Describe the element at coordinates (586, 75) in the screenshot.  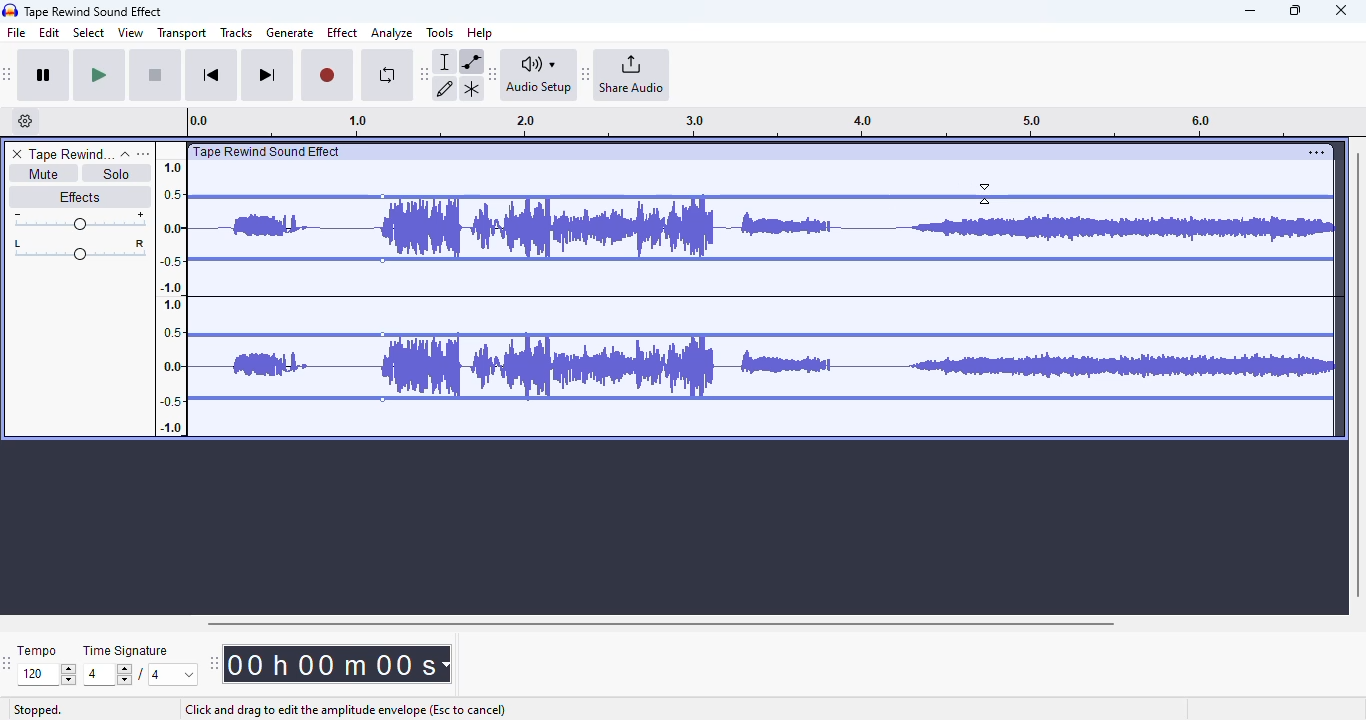
I see `Move audacity share audio toolbar` at that location.